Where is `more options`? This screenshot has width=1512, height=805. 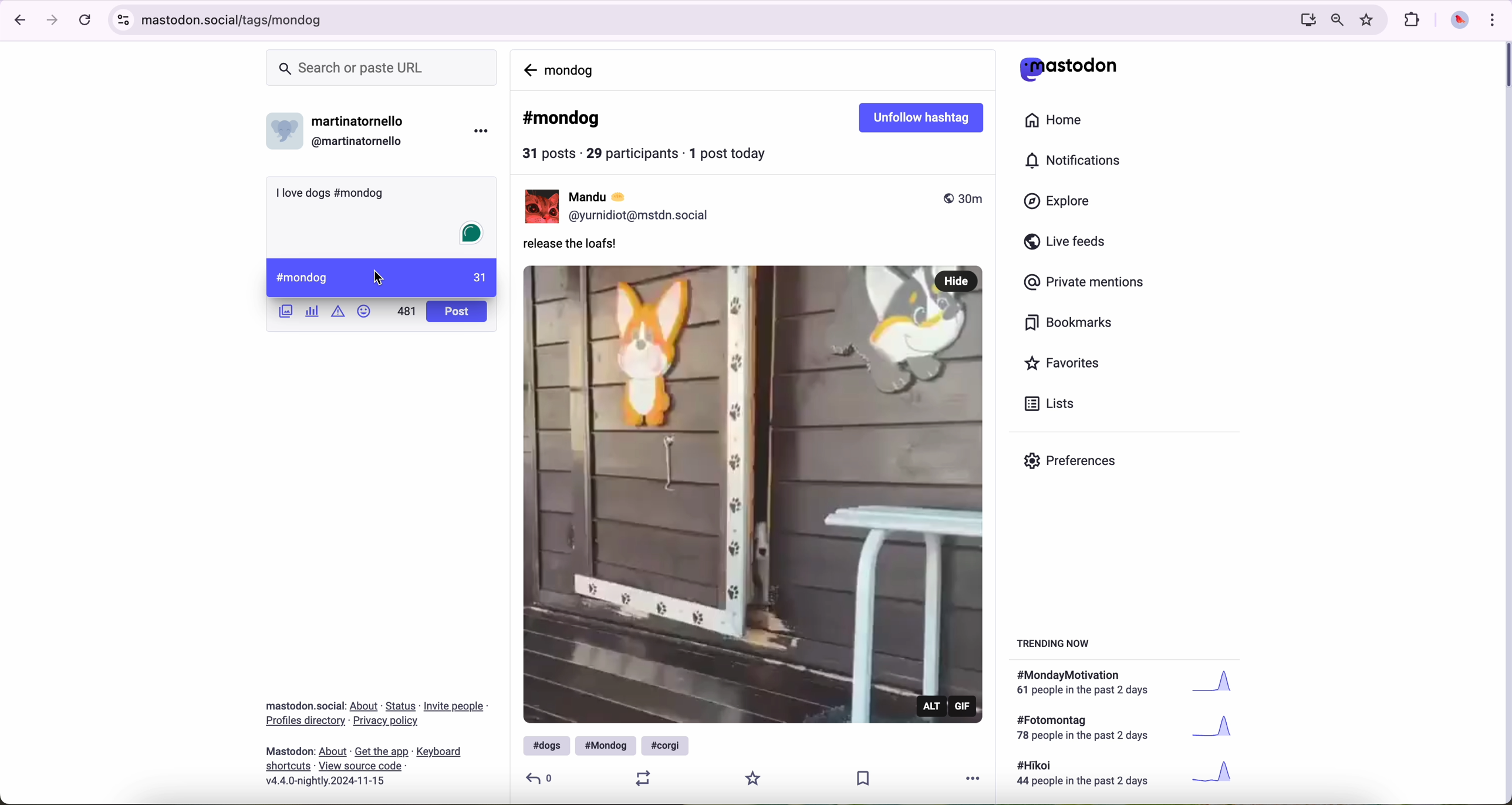
more options is located at coordinates (480, 133).